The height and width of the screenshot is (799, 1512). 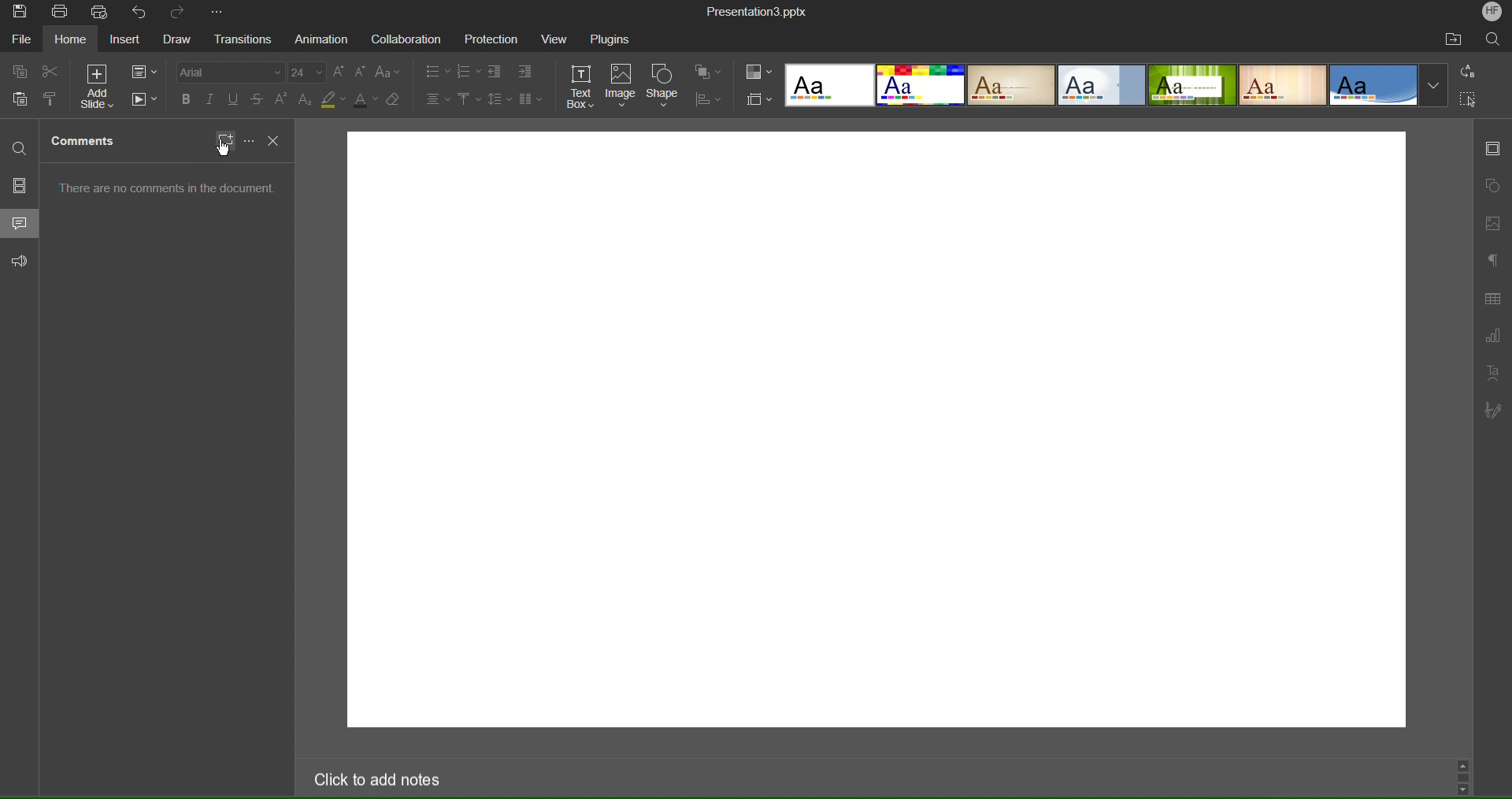 What do you see at coordinates (140, 12) in the screenshot?
I see `Undo` at bounding box center [140, 12].